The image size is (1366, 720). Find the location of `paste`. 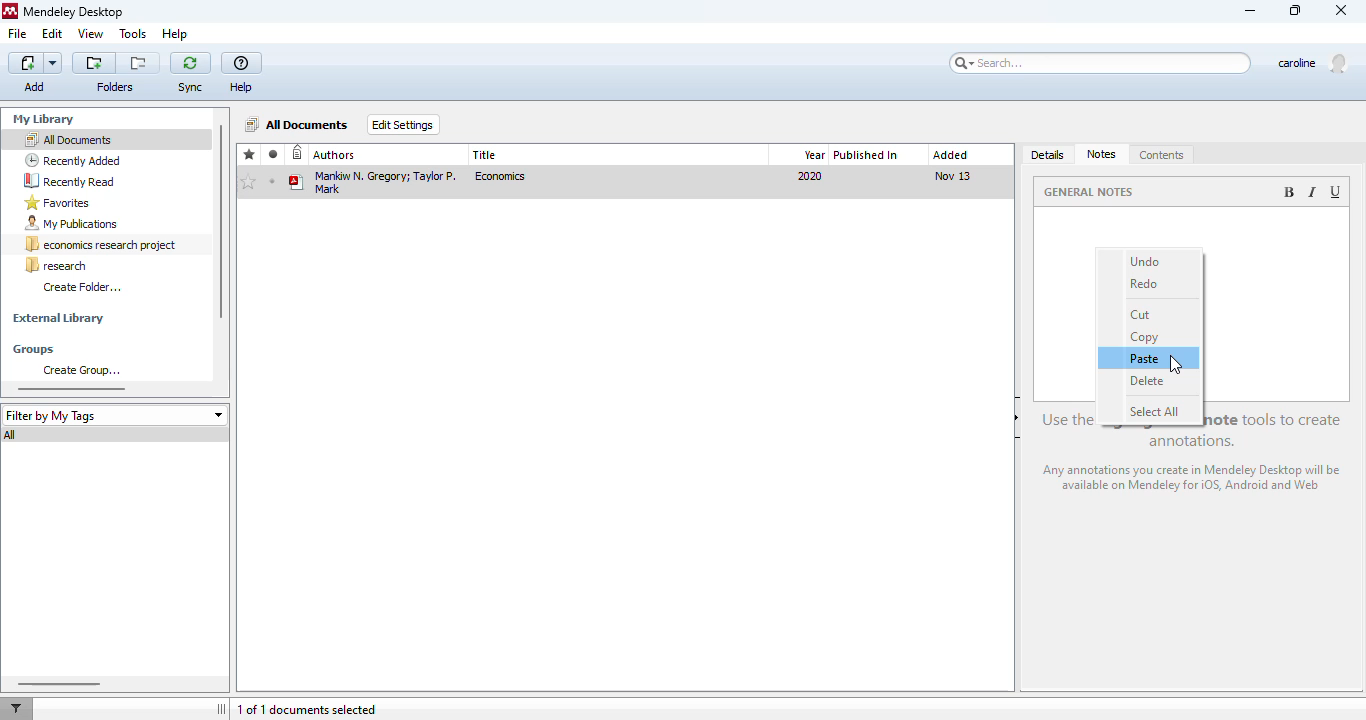

paste is located at coordinates (1145, 358).